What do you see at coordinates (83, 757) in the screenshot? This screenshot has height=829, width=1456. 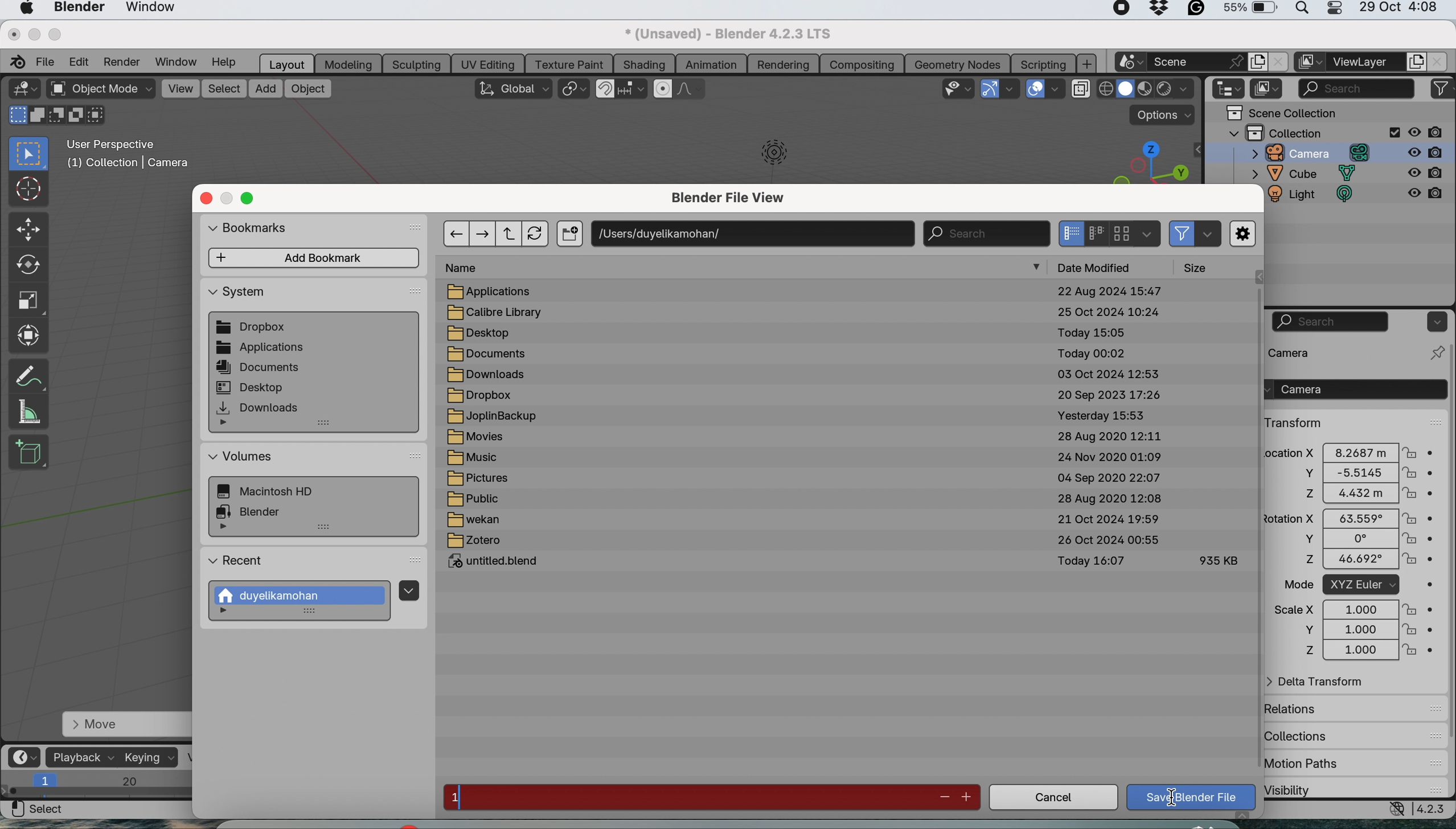 I see `playback` at bounding box center [83, 757].